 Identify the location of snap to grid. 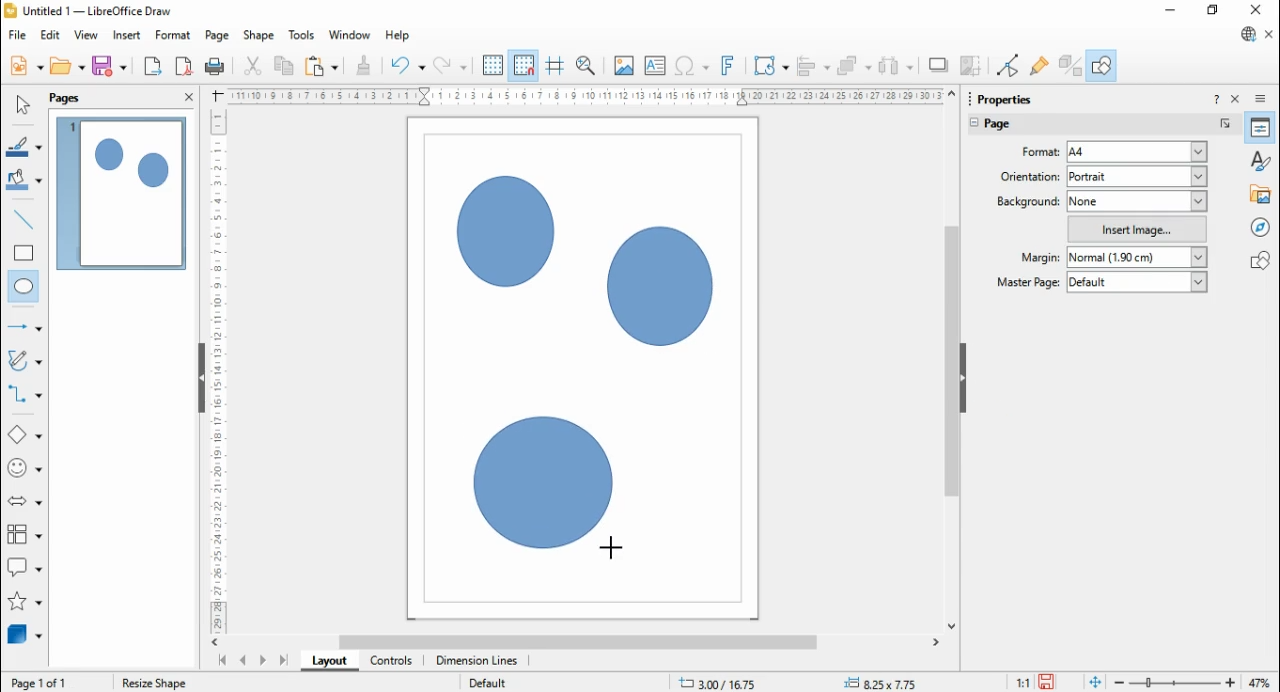
(525, 65).